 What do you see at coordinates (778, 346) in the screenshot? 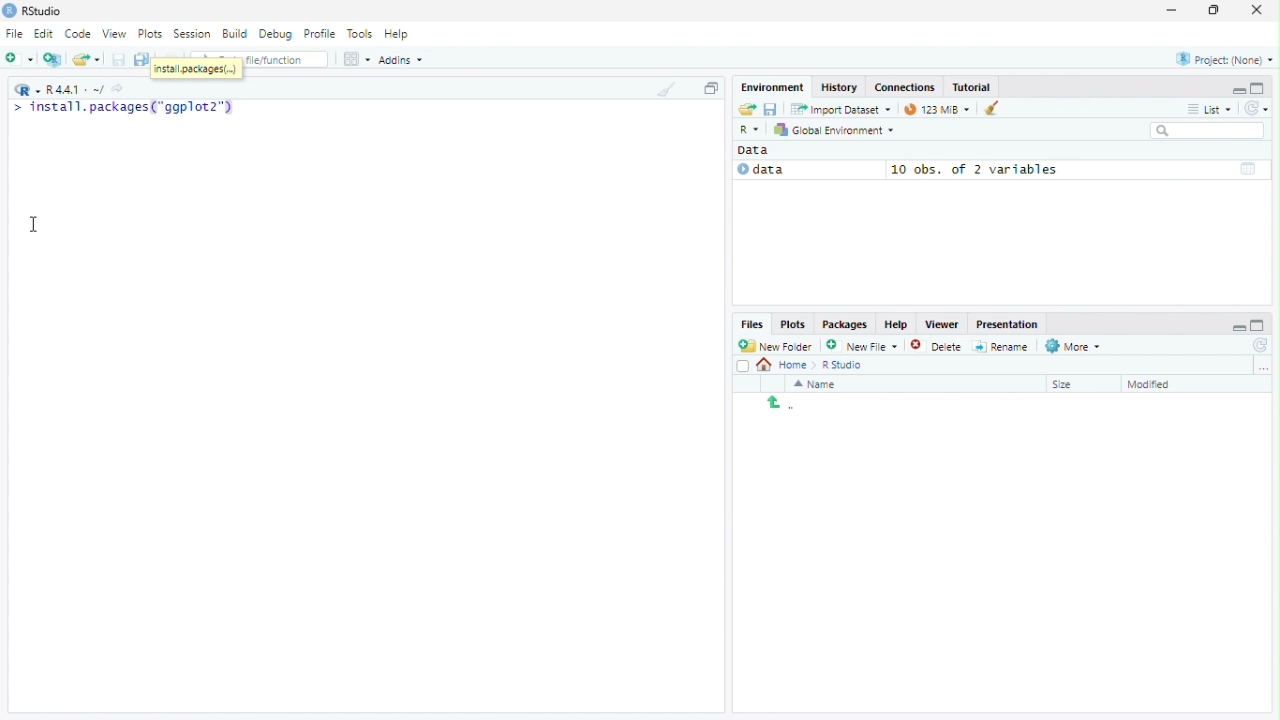
I see `New Folder` at bounding box center [778, 346].